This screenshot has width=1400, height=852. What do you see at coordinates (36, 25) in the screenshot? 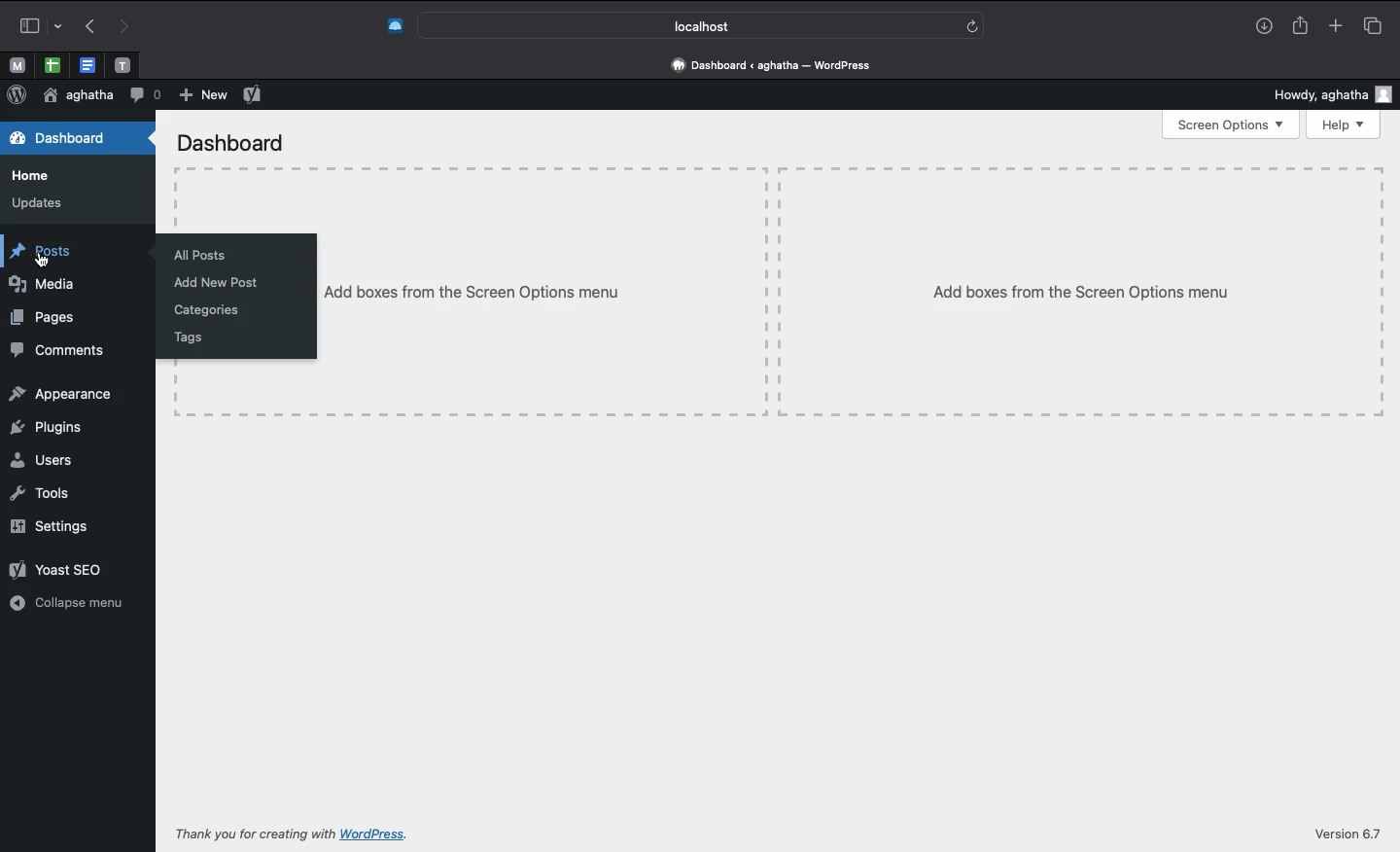
I see `Sidebar` at bounding box center [36, 25].